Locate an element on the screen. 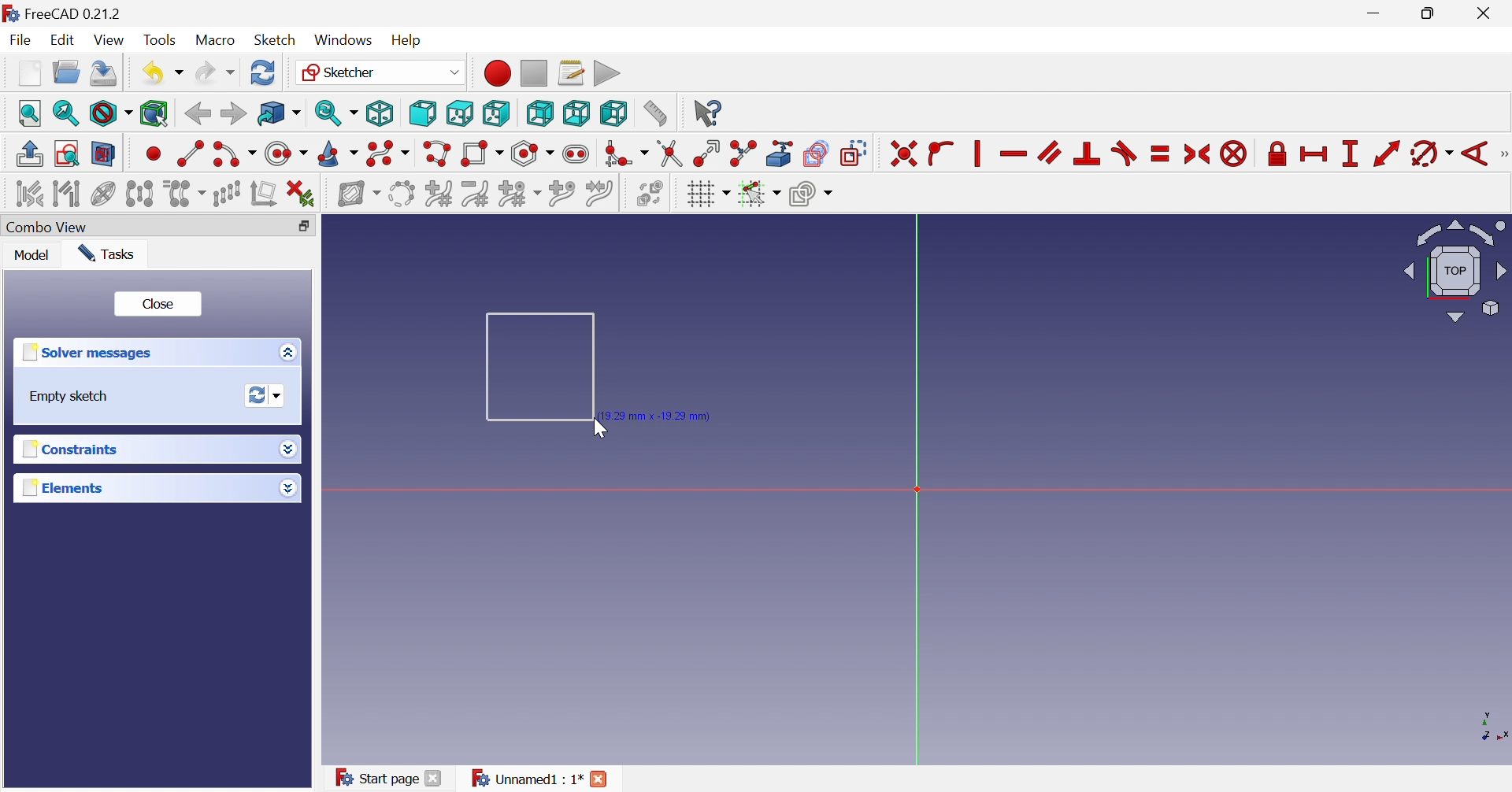 The image size is (1512, 792). Empty sketch is located at coordinates (70, 397).